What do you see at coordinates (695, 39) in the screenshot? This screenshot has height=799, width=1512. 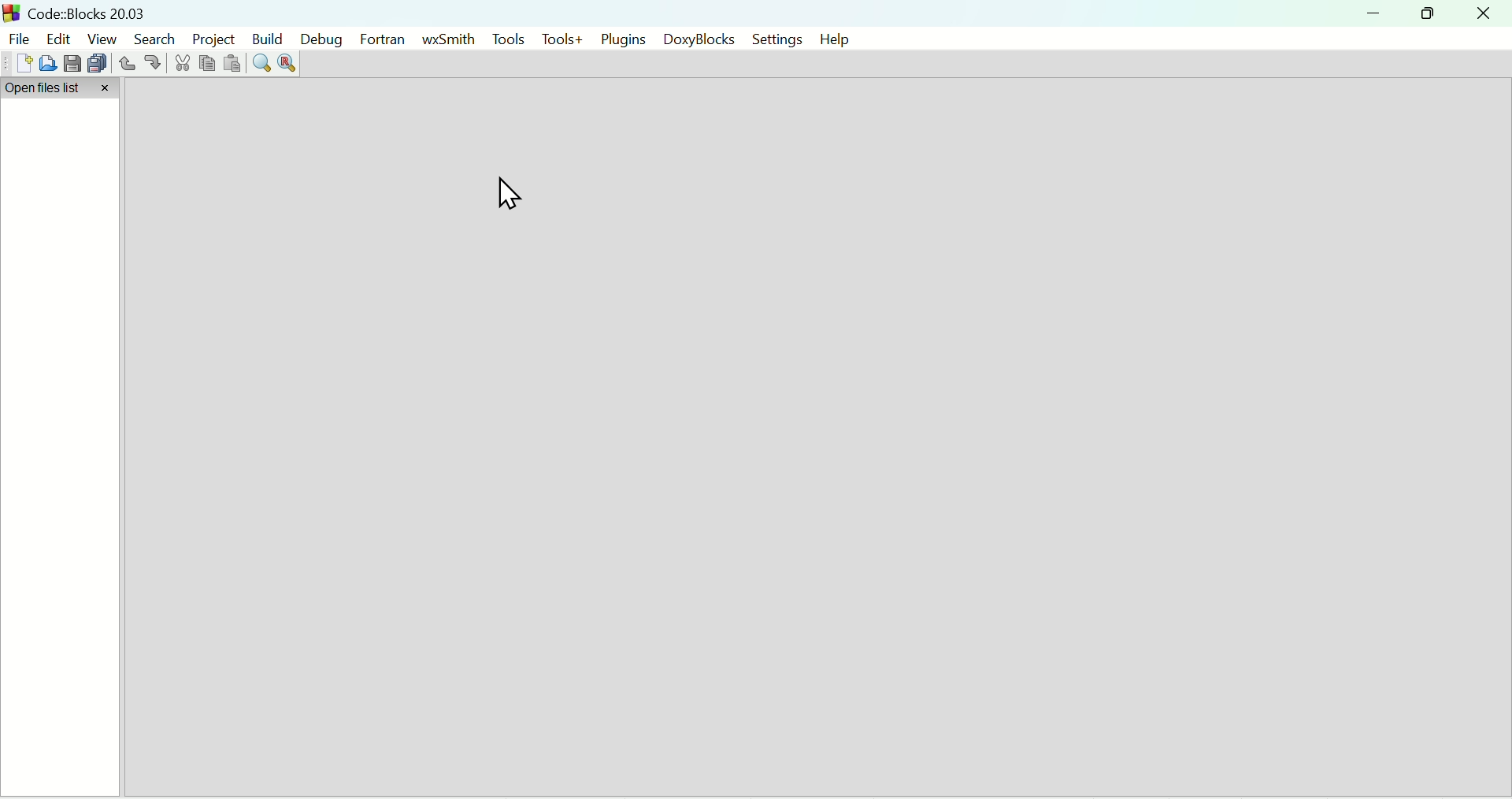 I see `DoxyBlocks` at bounding box center [695, 39].